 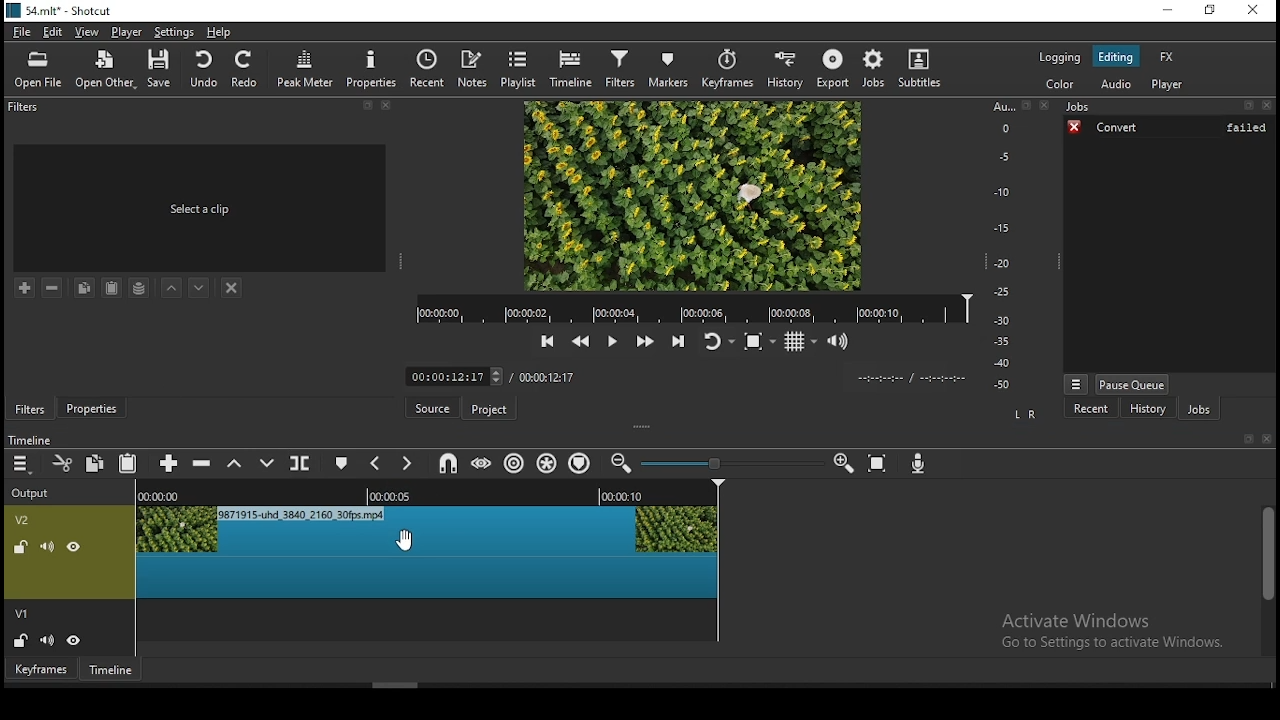 What do you see at coordinates (726, 461) in the screenshot?
I see `zoom in or zoom out ` at bounding box center [726, 461].